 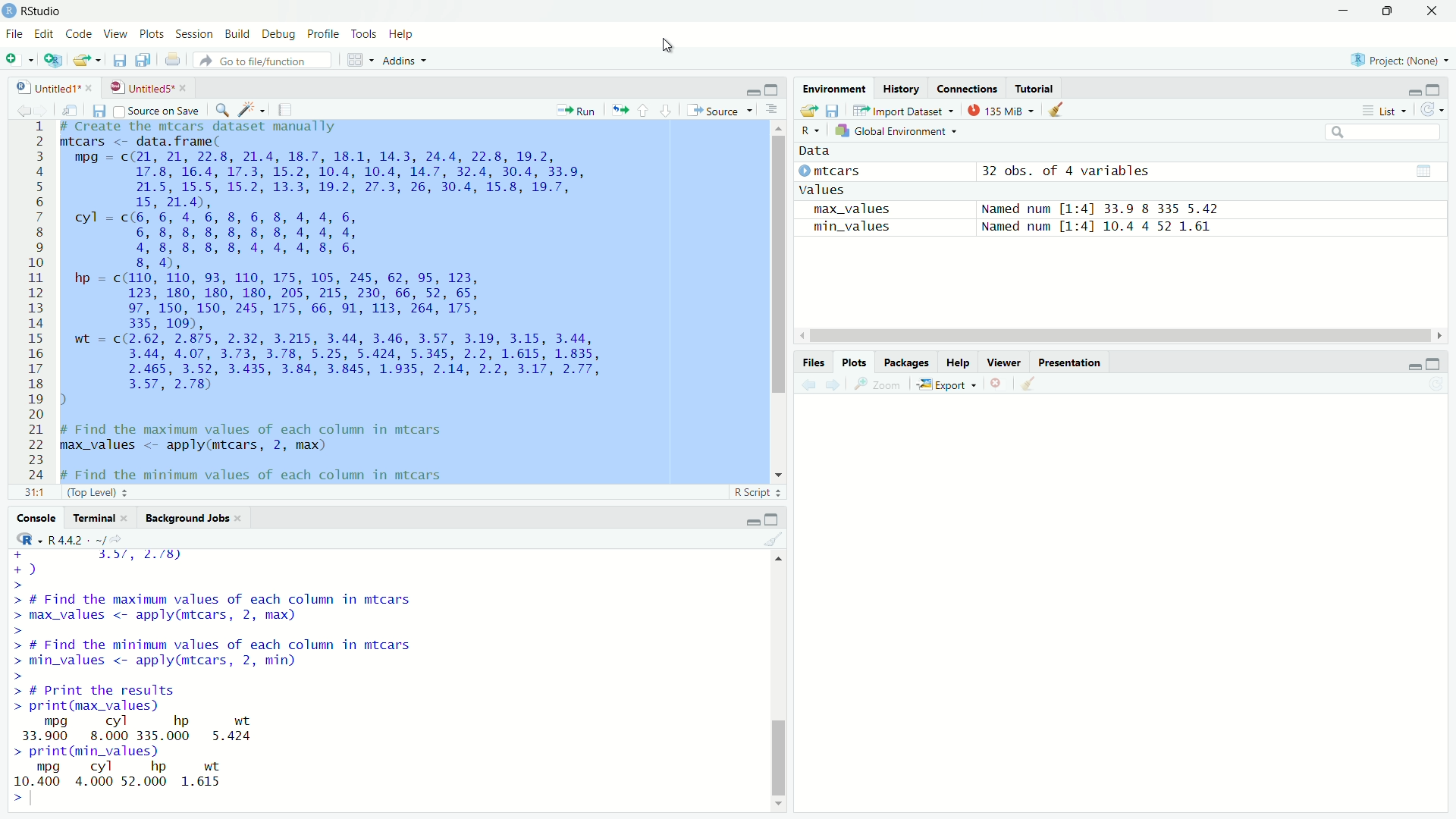 I want to click on maximise, so click(x=773, y=89).